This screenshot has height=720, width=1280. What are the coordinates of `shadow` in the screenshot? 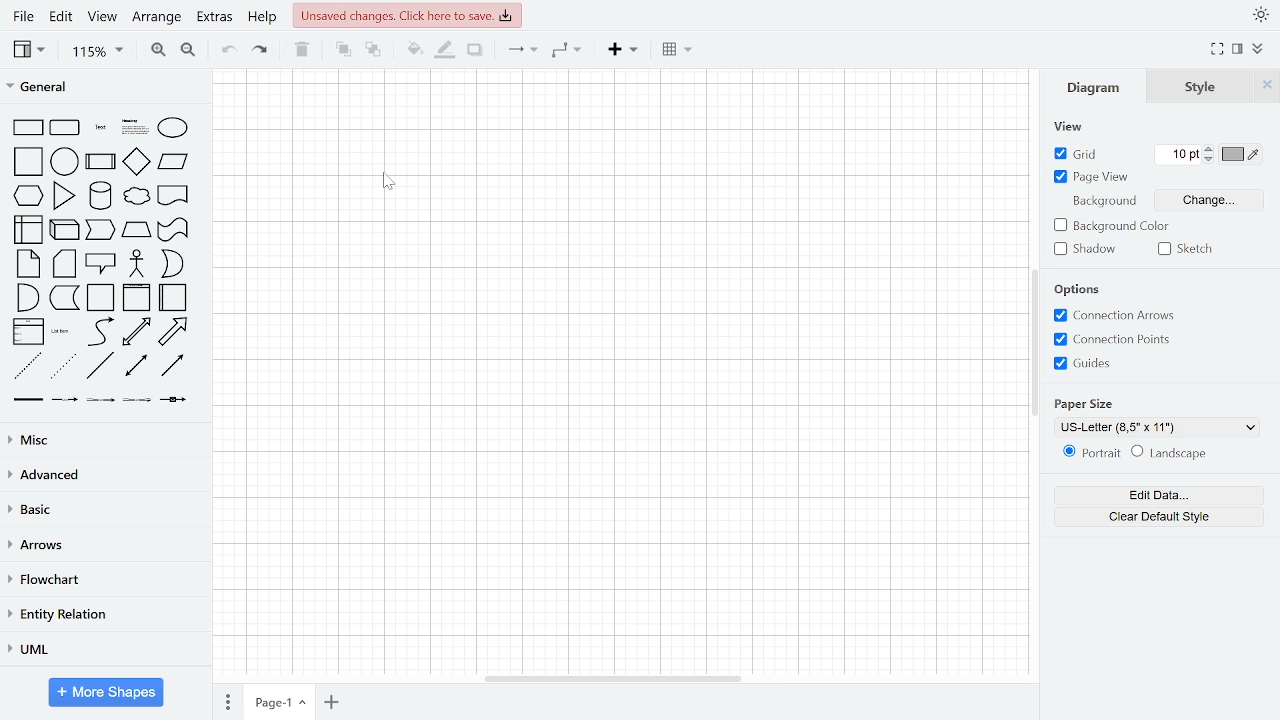 It's located at (1087, 249).